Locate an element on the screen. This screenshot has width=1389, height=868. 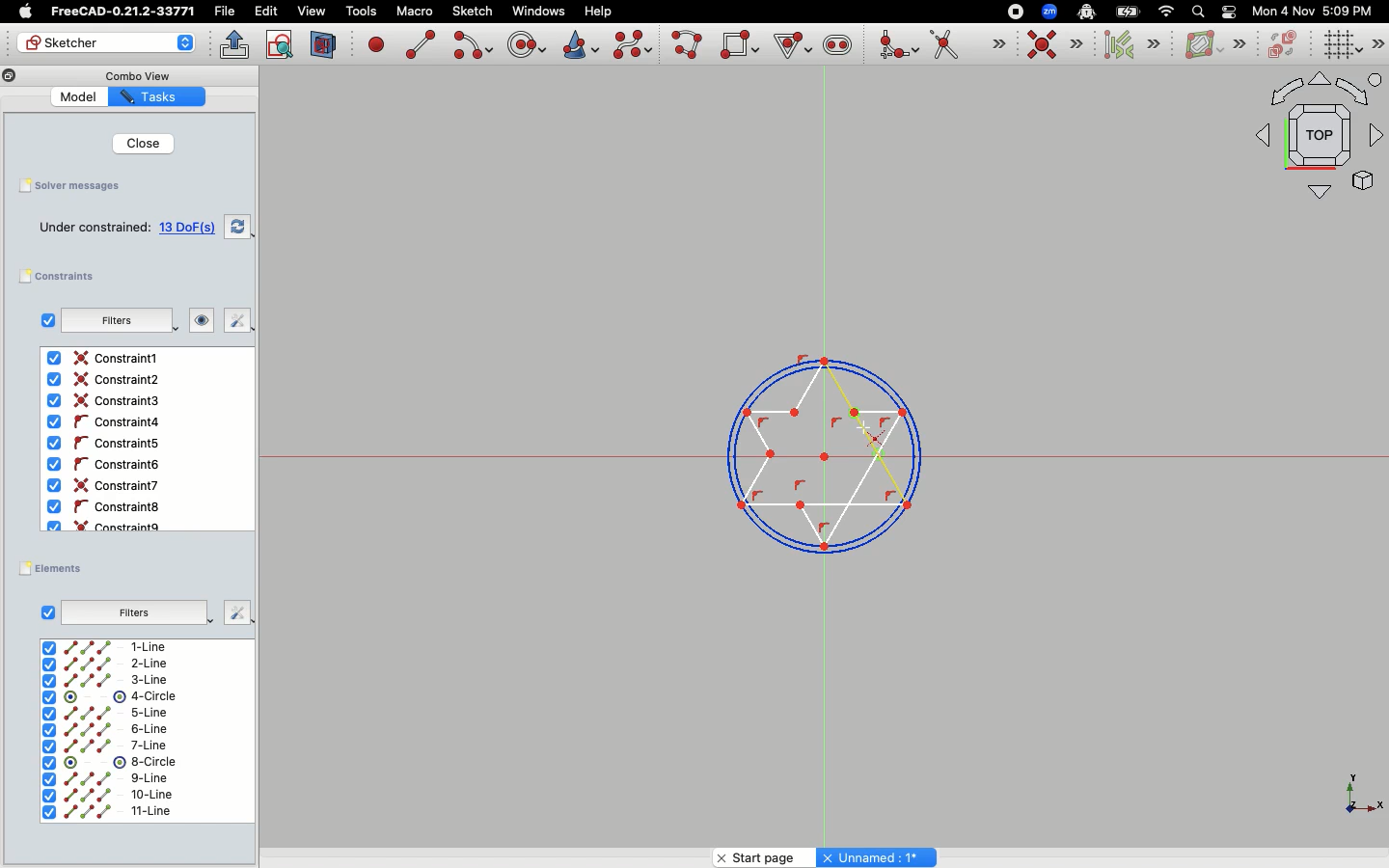
Contraint3 is located at coordinates (107, 401).